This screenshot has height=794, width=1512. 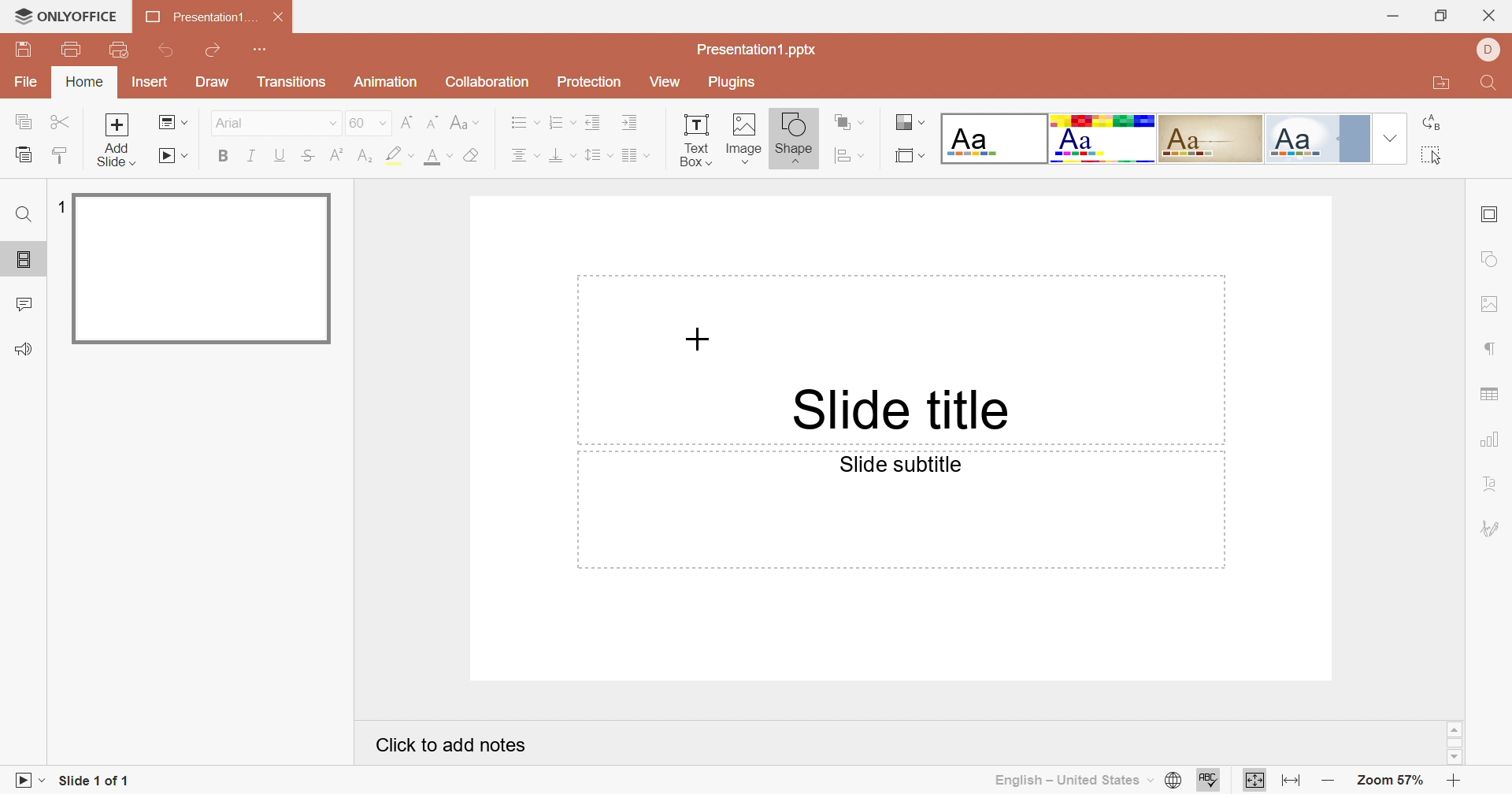 What do you see at coordinates (1487, 50) in the screenshot?
I see `DELL` at bounding box center [1487, 50].